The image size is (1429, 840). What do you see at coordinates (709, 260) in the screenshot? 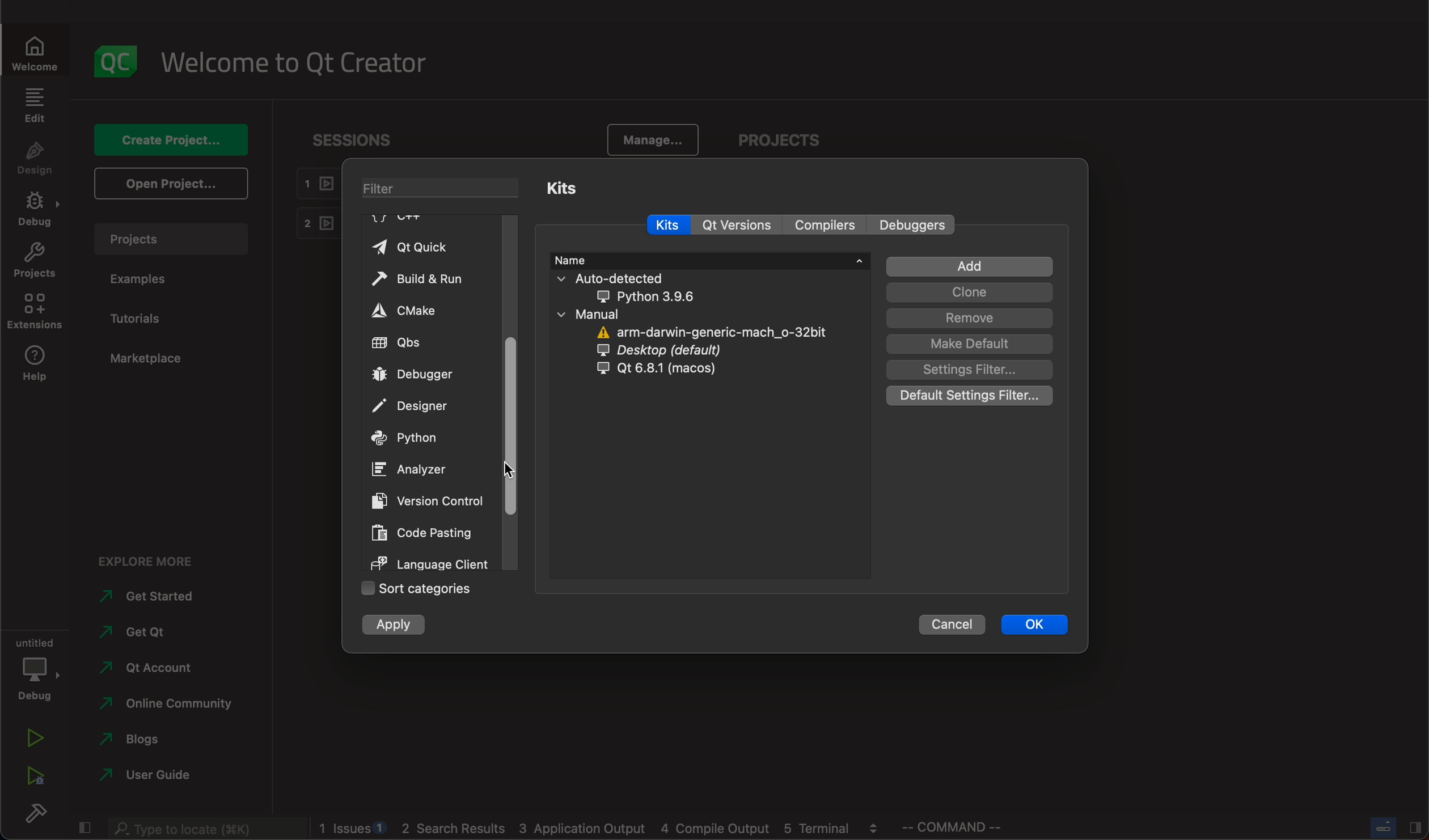
I see `name` at bounding box center [709, 260].